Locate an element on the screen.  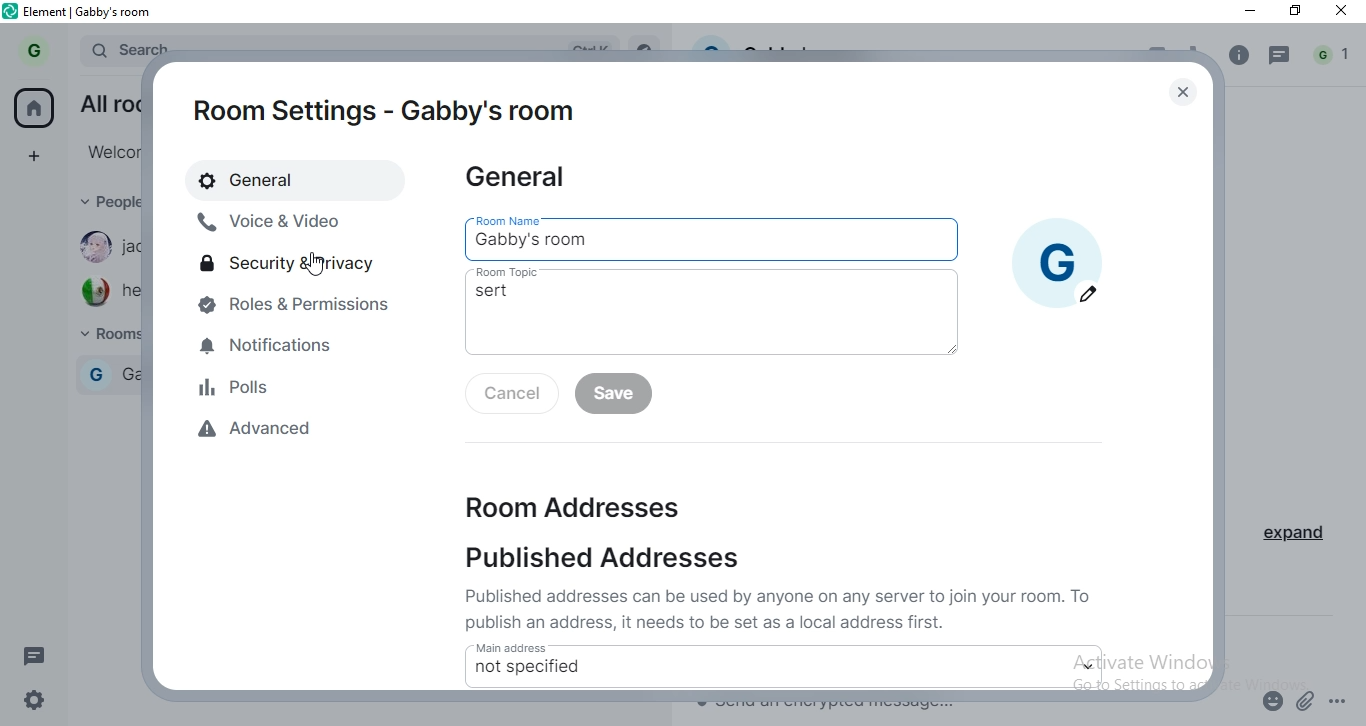
Profile image is located at coordinates (90, 246).